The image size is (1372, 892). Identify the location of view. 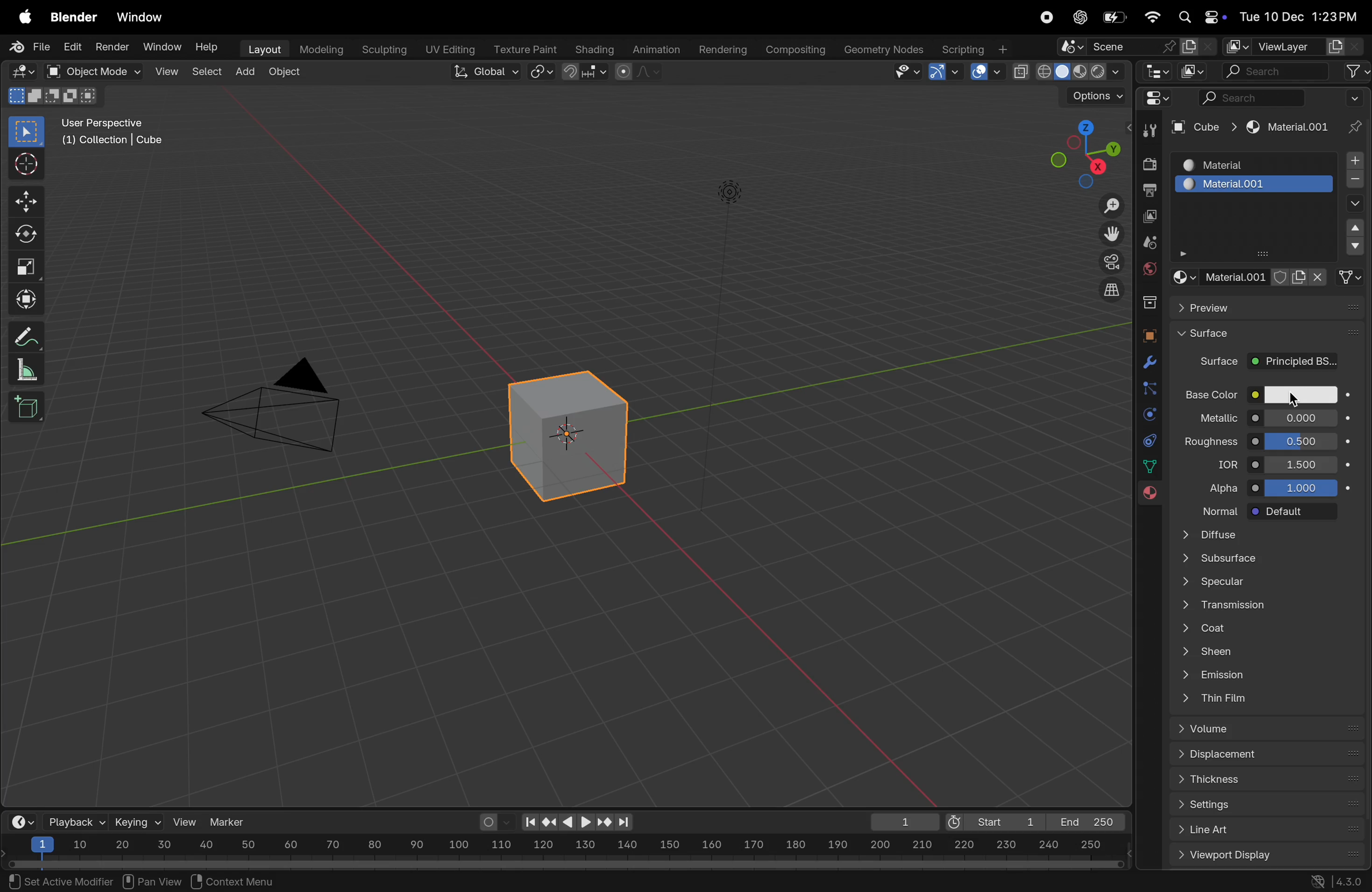
(186, 822).